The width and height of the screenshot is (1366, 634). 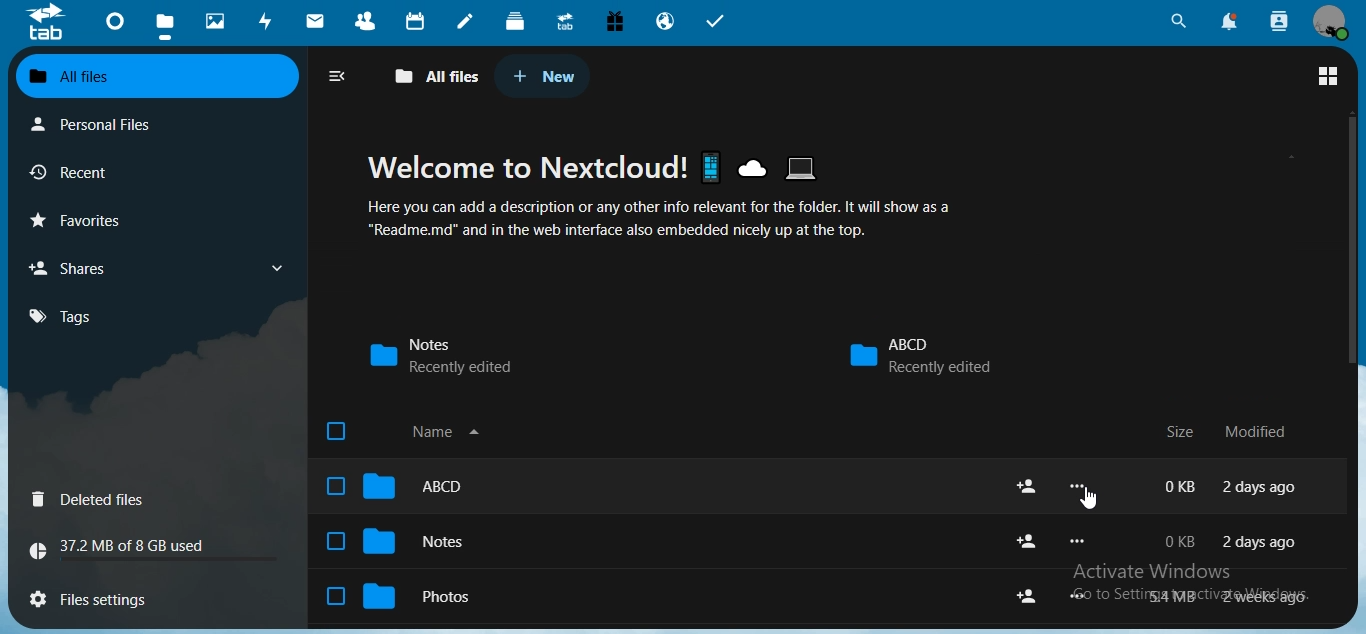 What do you see at coordinates (1074, 597) in the screenshot?
I see `...` at bounding box center [1074, 597].